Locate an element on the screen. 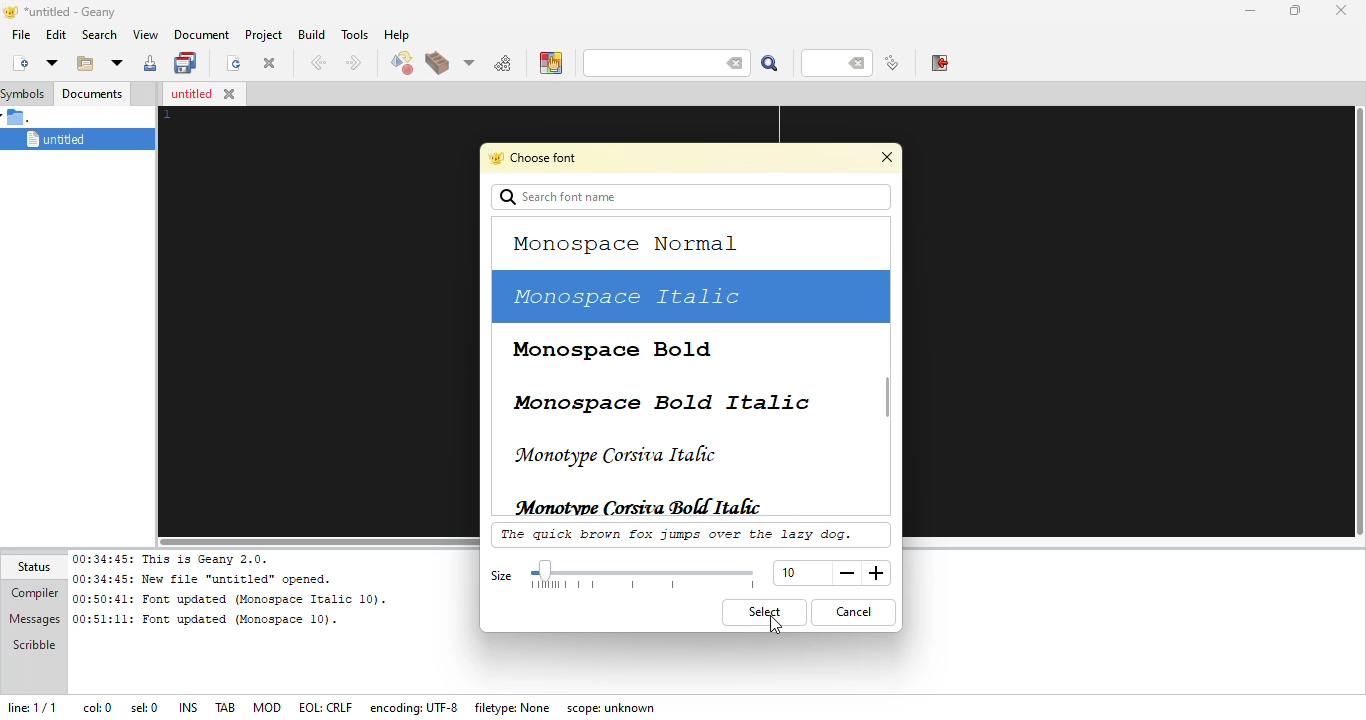 The height and width of the screenshot is (720, 1366). create new is located at coordinates (19, 62).